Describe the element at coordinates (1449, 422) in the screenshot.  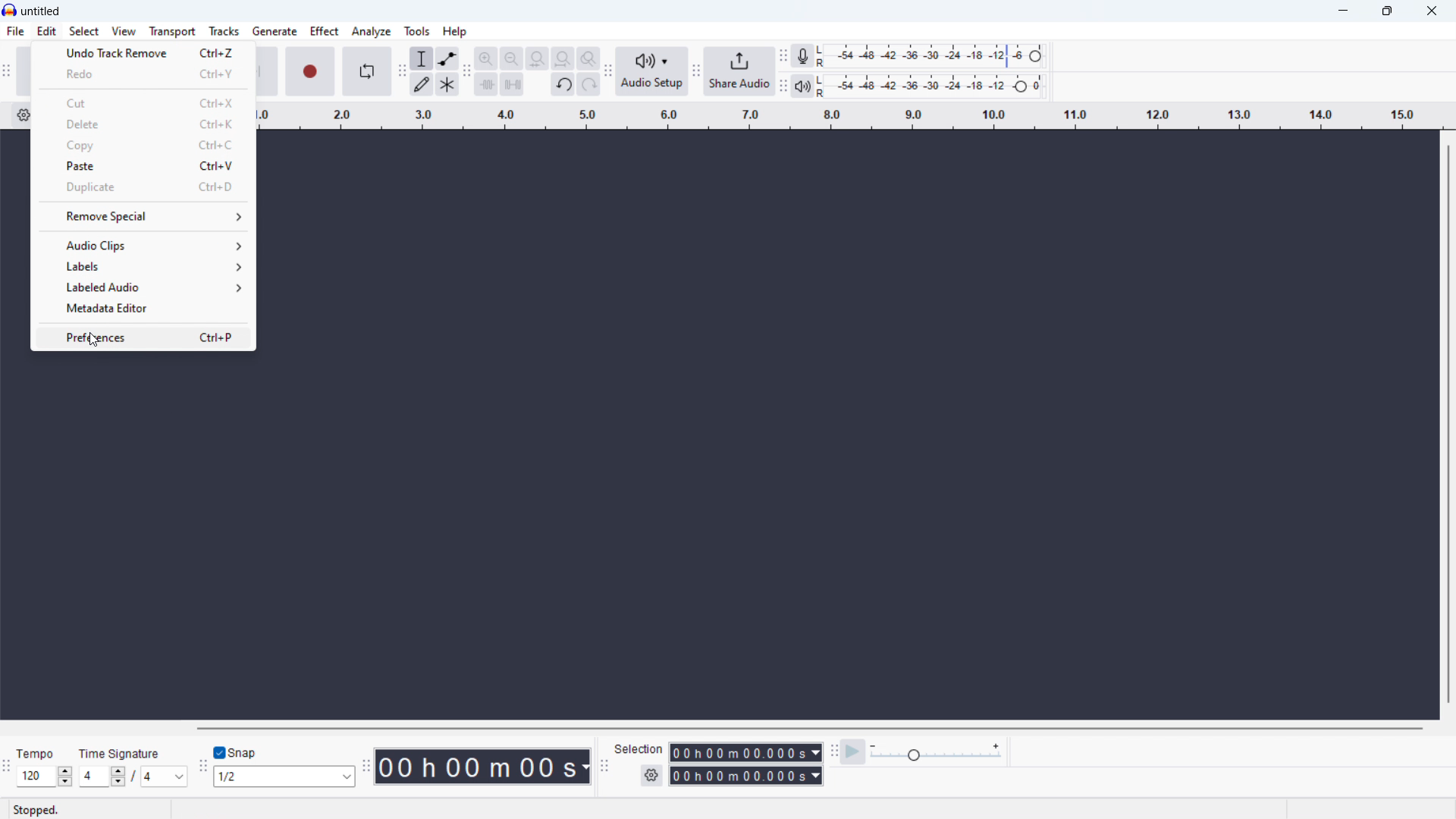
I see `vertical scrollbar` at that location.